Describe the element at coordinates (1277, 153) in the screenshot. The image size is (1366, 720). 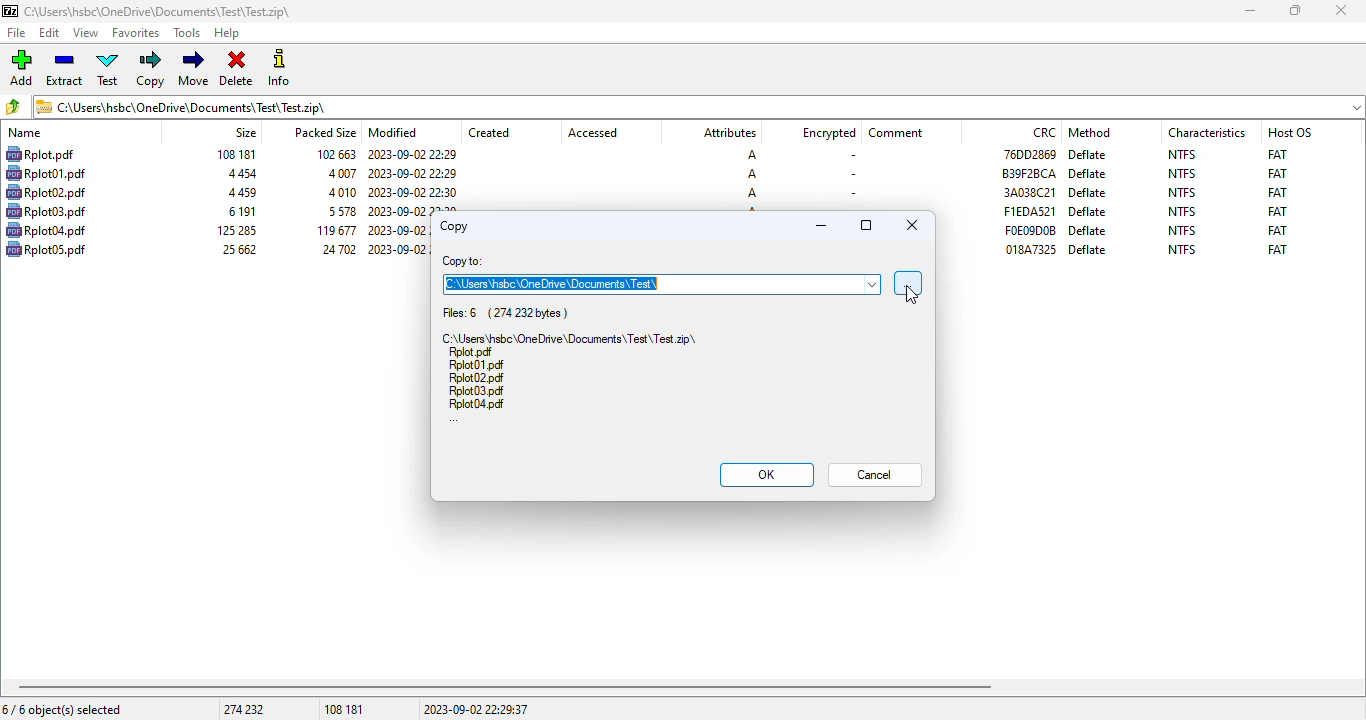
I see `FAT` at that location.